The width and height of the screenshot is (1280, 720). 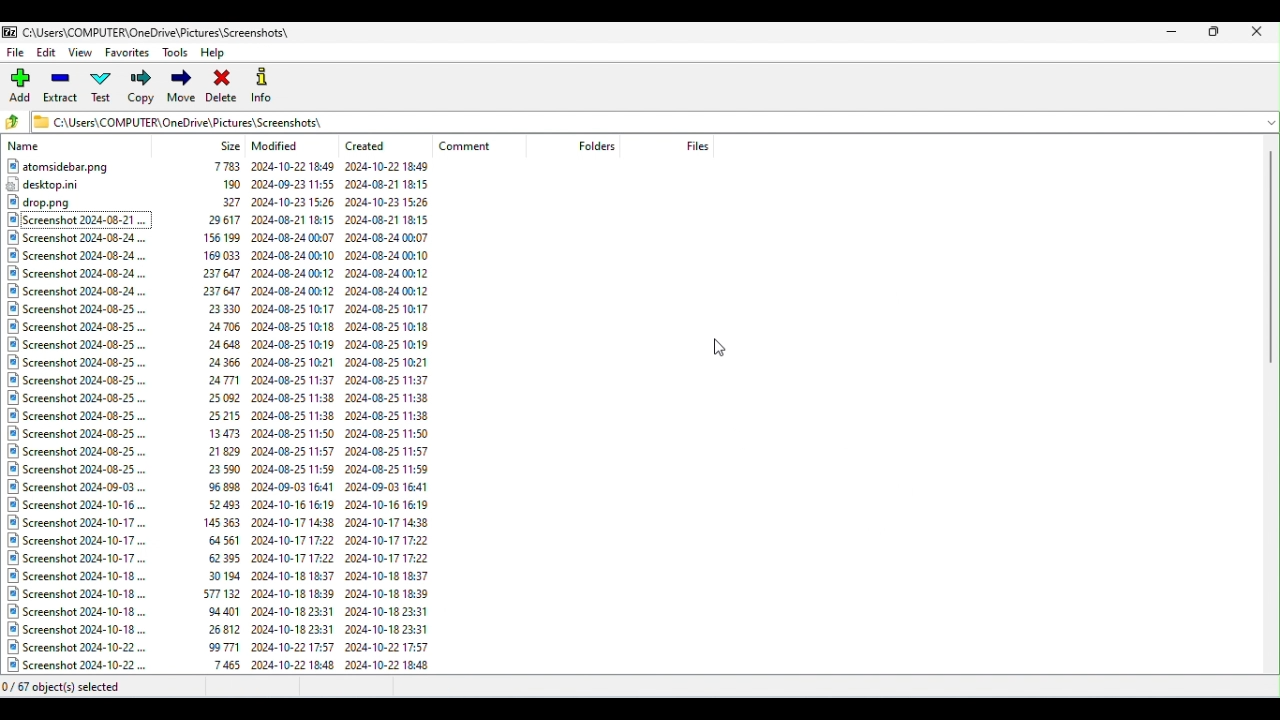 I want to click on Test, so click(x=105, y=89).